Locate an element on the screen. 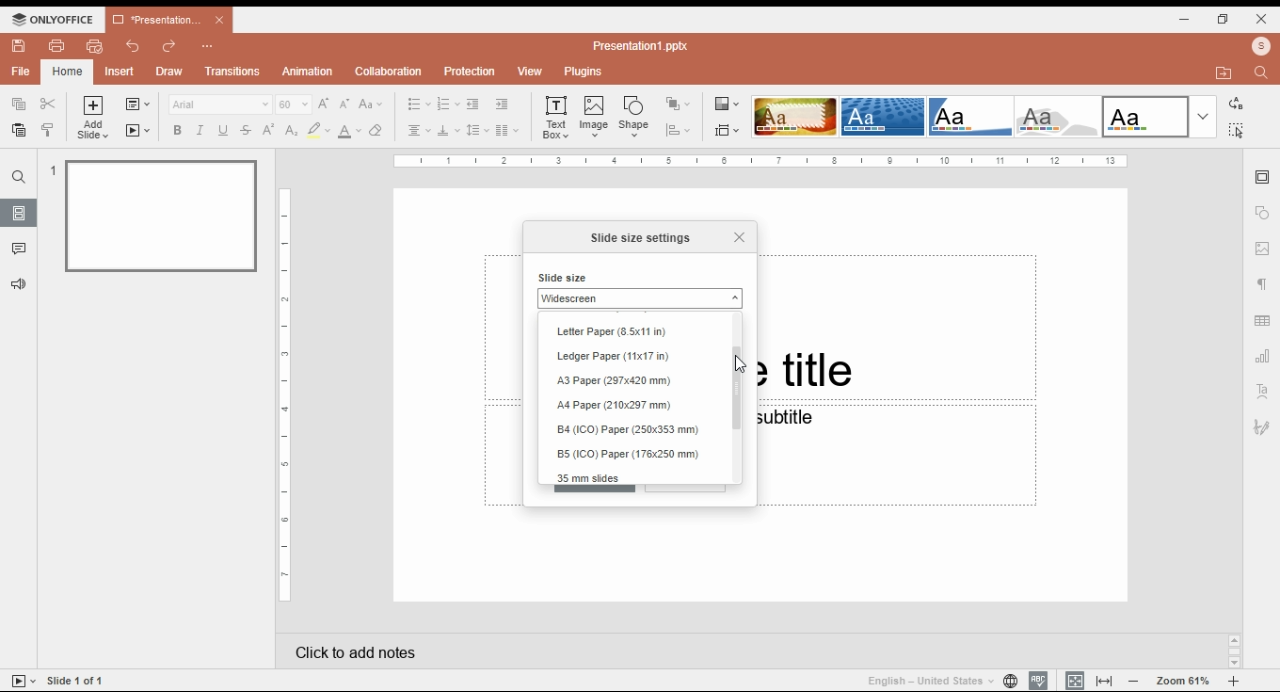  A3 Paper (297x420 mm) is located at coordinates (617, 380).